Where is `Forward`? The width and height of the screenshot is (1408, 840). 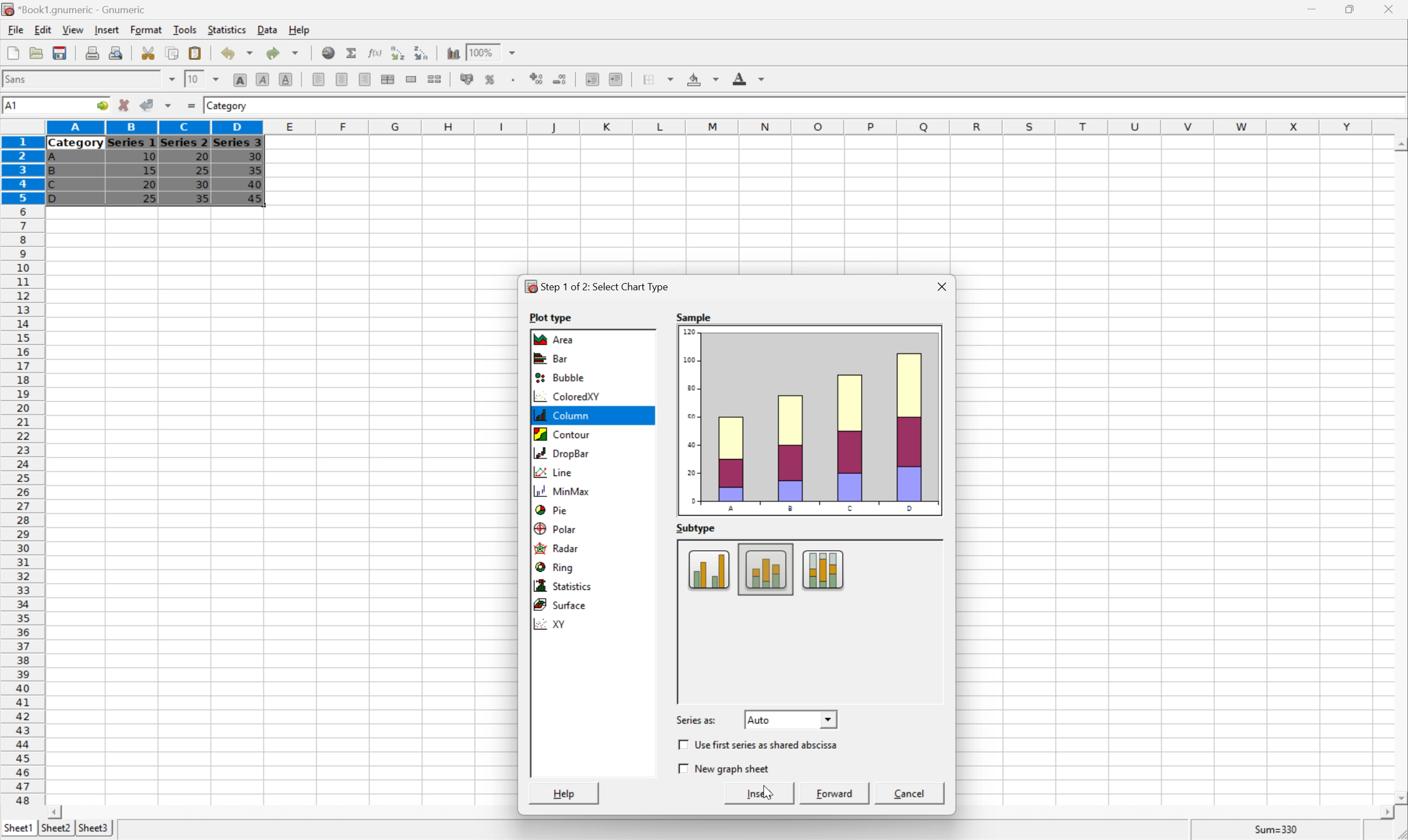 Forward is located at coordinates (837, 792).